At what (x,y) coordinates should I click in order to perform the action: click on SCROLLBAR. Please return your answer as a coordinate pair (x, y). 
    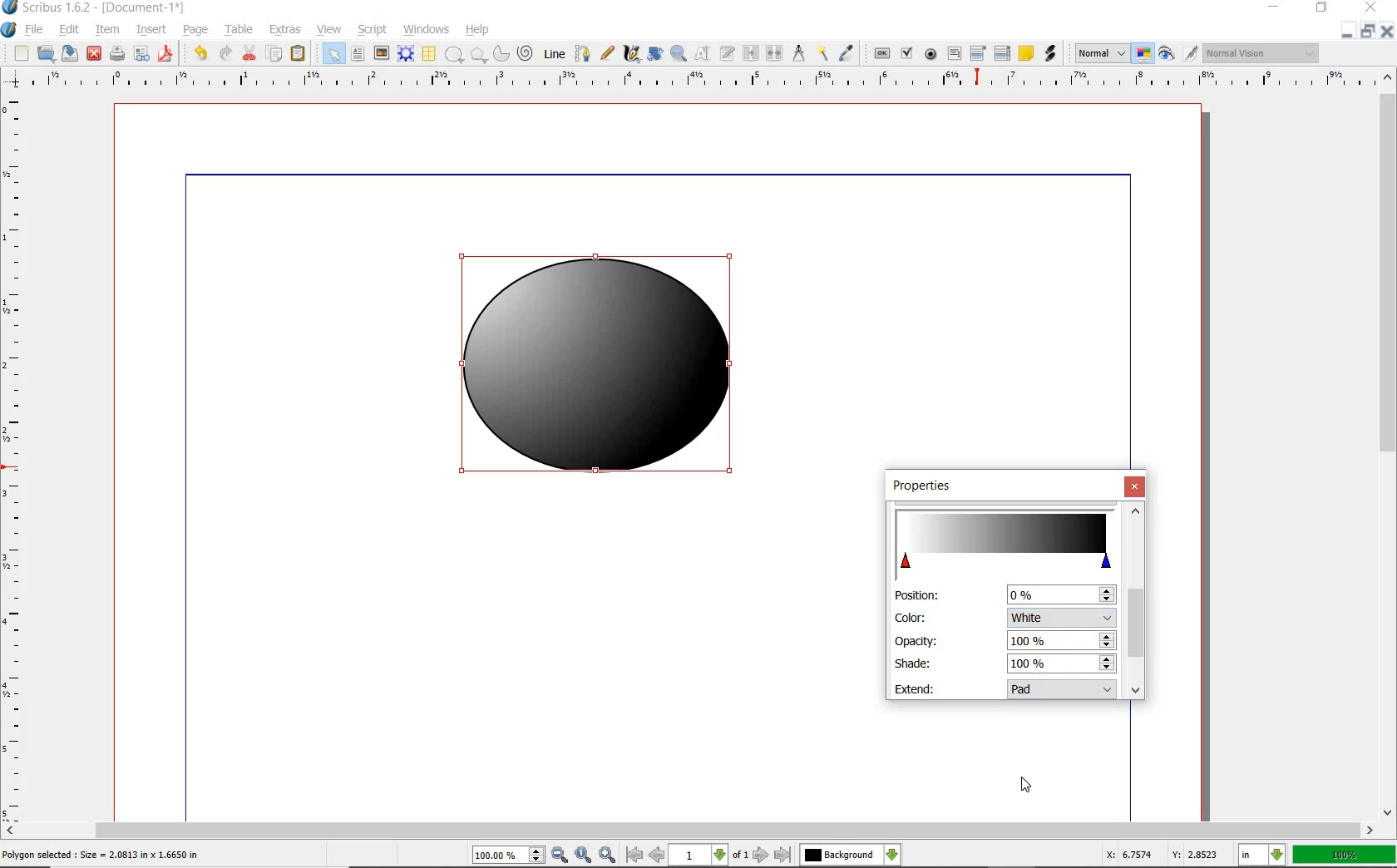
    Looking at the image, I should click on (1389, 442).